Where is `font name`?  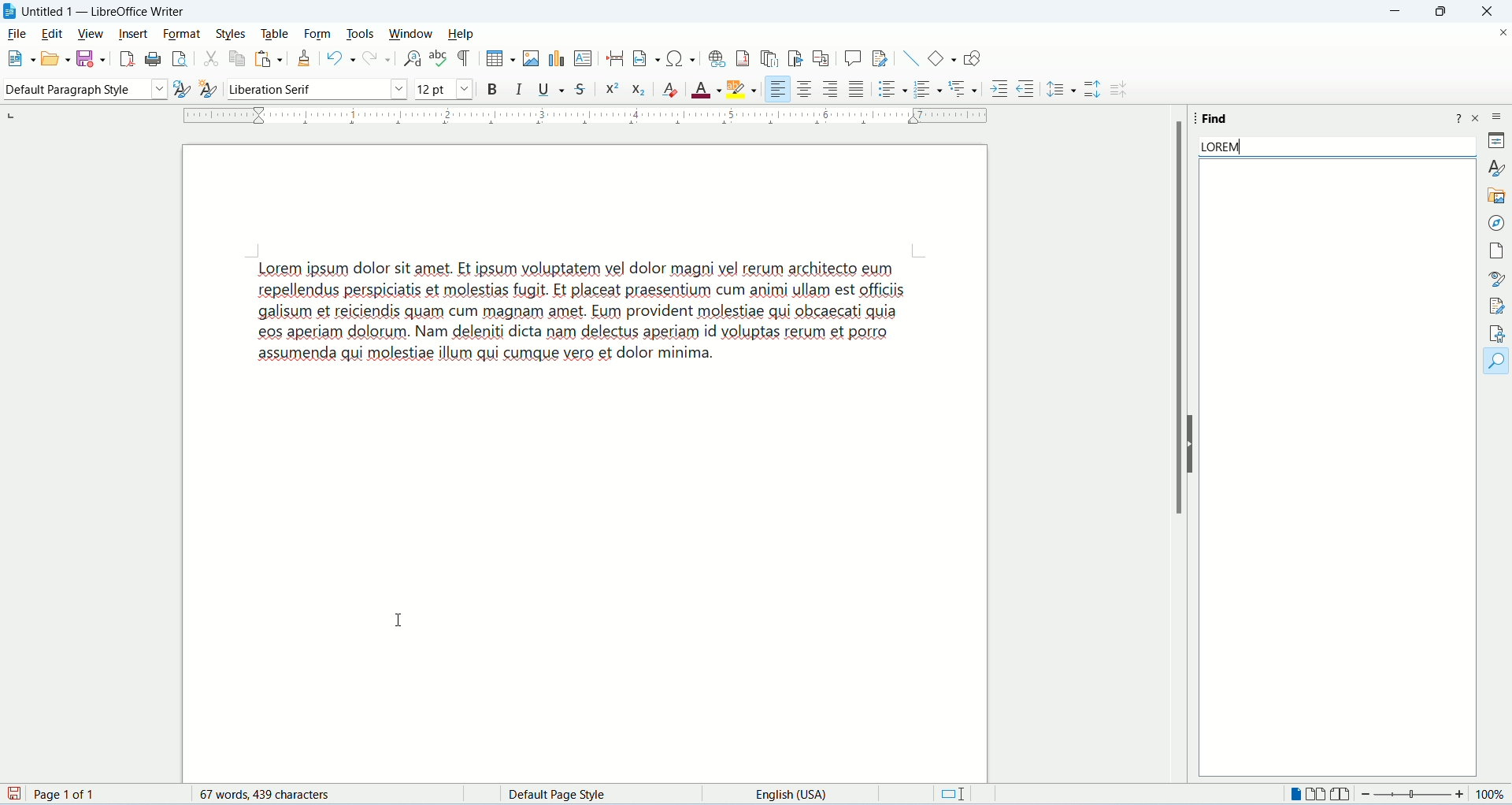 font name is located at coordinates (317, 89).